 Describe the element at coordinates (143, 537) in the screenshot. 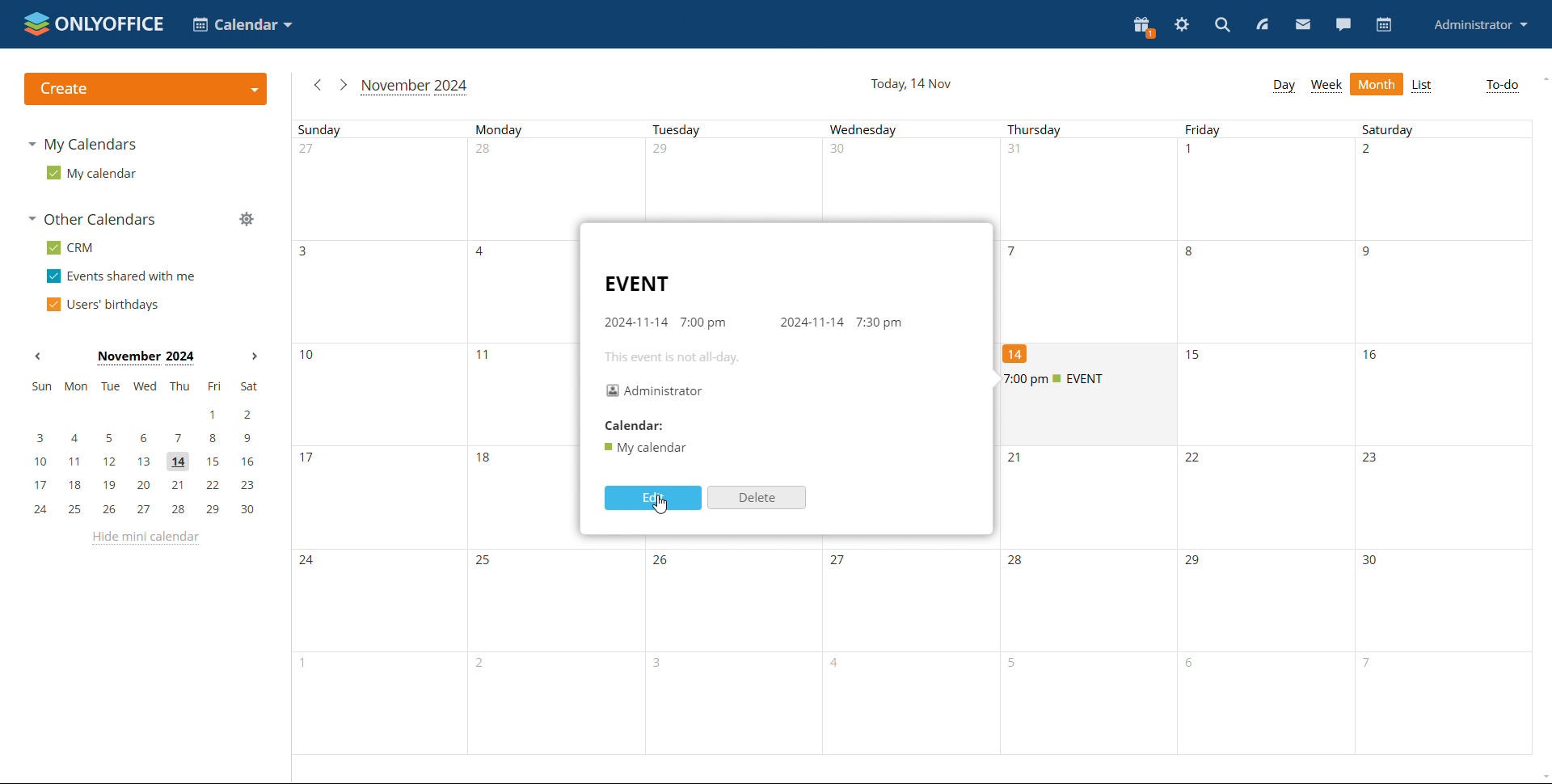

I see `hide mini calendar` at that location.